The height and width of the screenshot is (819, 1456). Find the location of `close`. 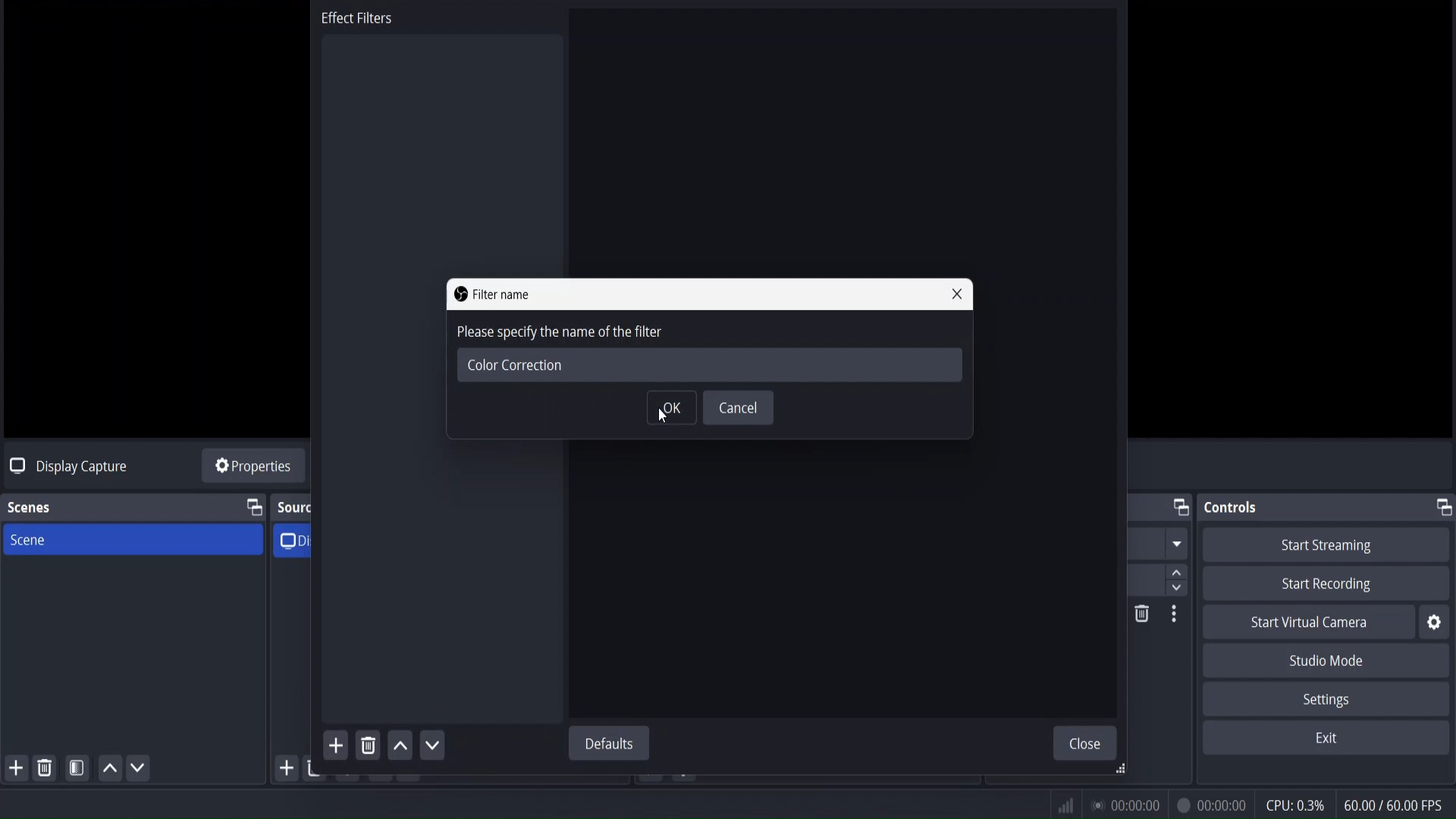

close is located at coordinates (961, 295).